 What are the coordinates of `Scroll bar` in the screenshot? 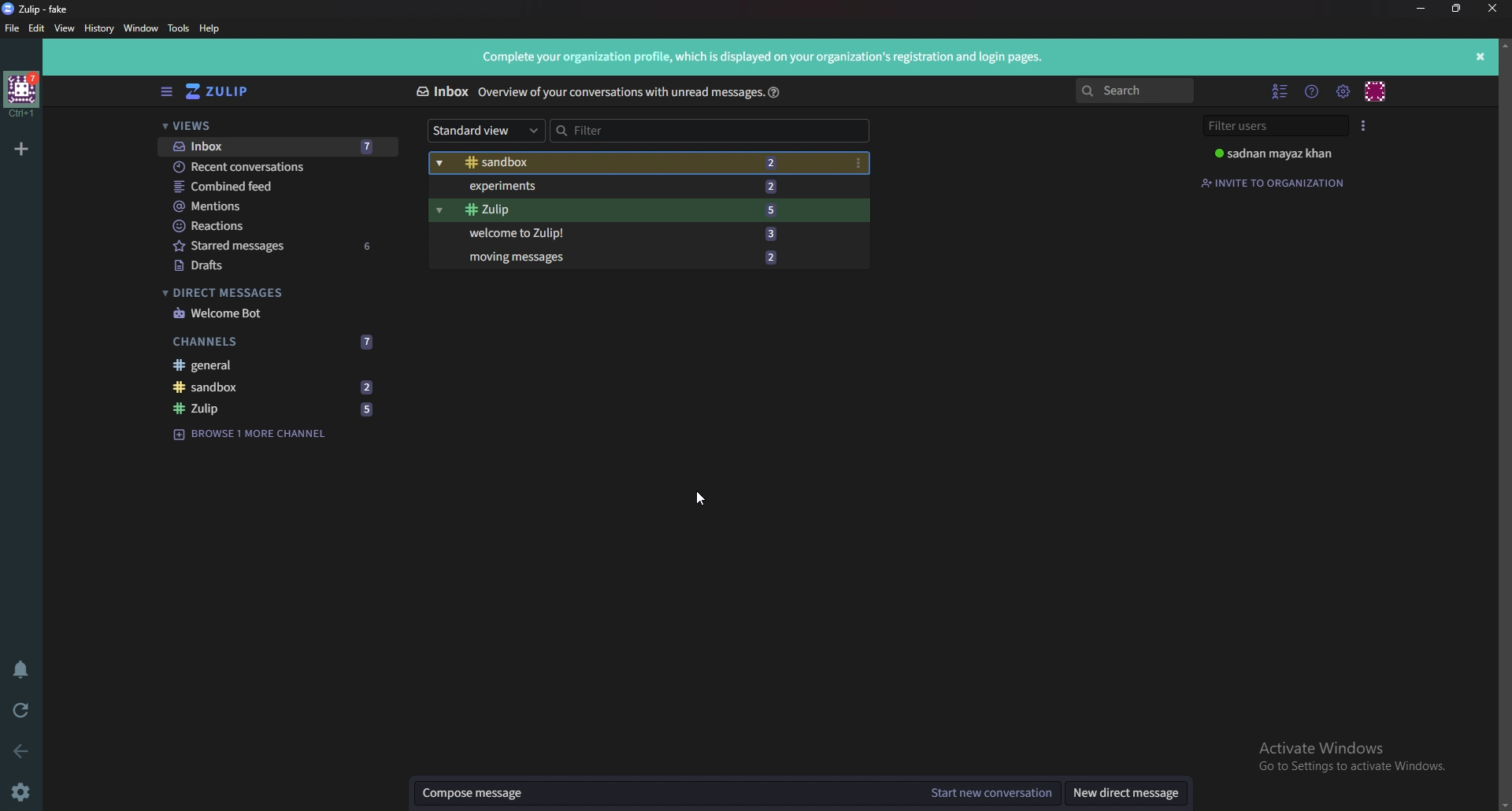 It's located at (1504, 420).